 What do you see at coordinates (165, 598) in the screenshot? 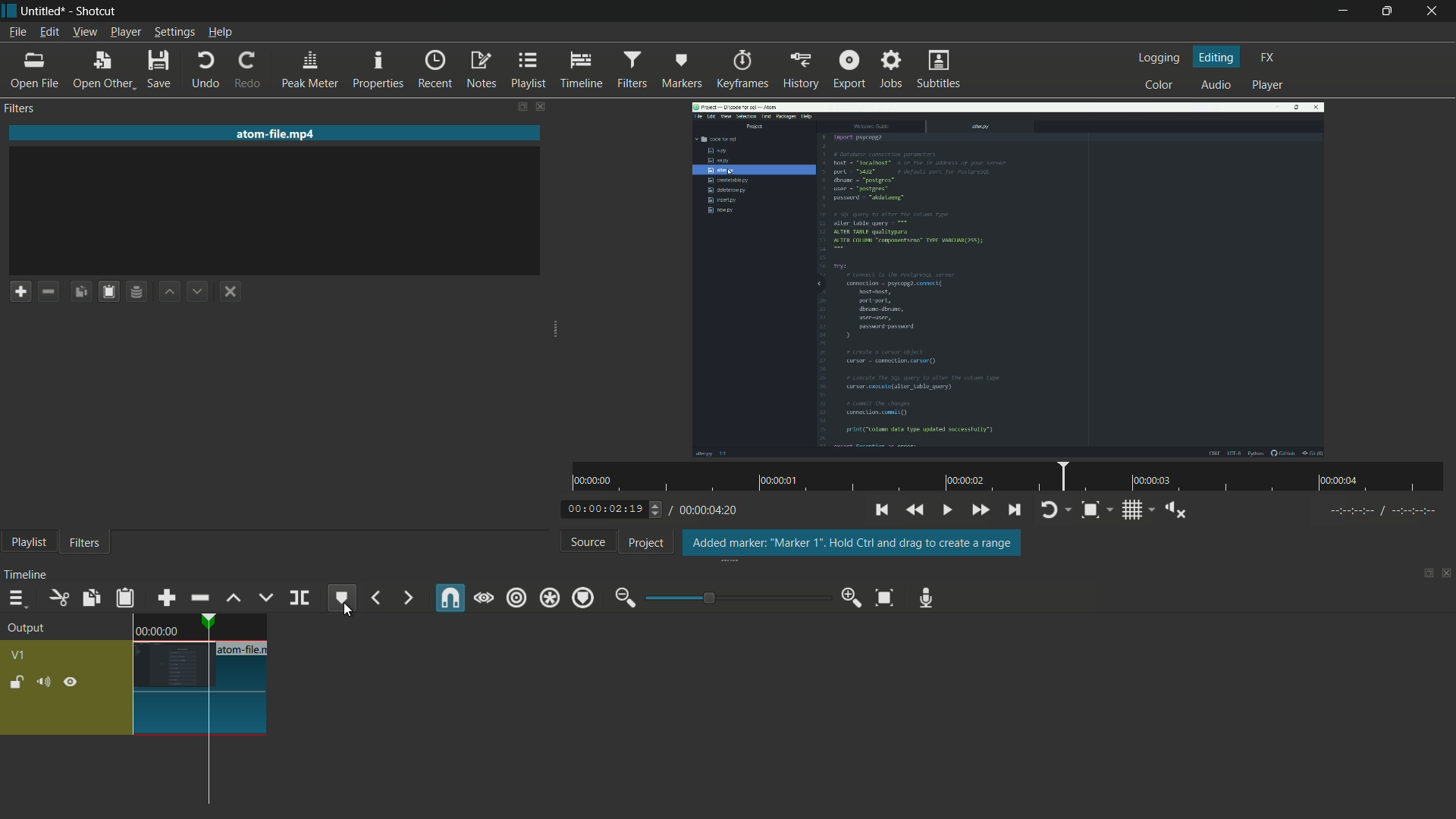
I see `append` at bounding box center [165, 598].